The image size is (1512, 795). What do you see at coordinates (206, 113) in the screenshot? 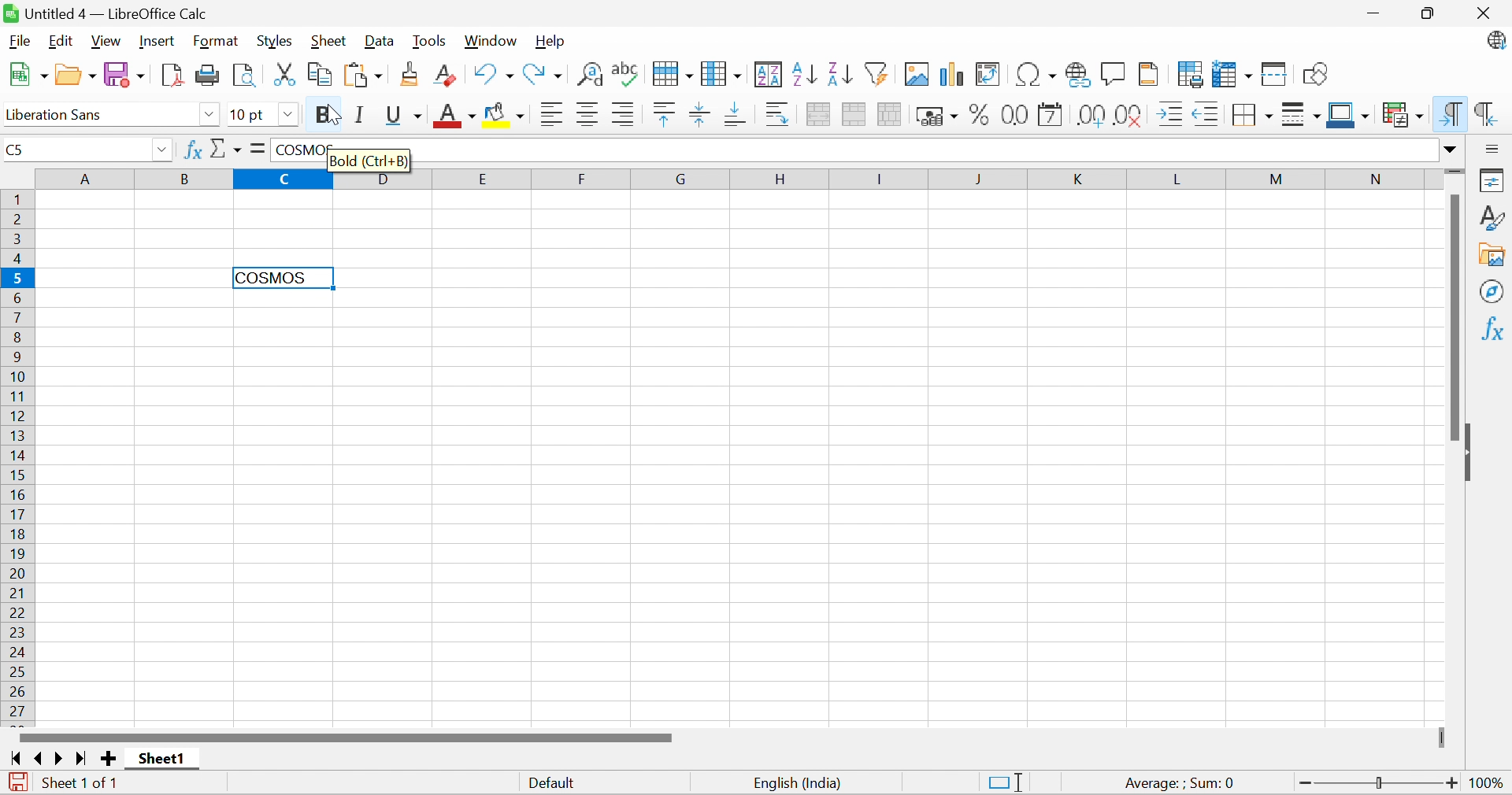
I see `Drop Down` at bounding box center [206, 113].